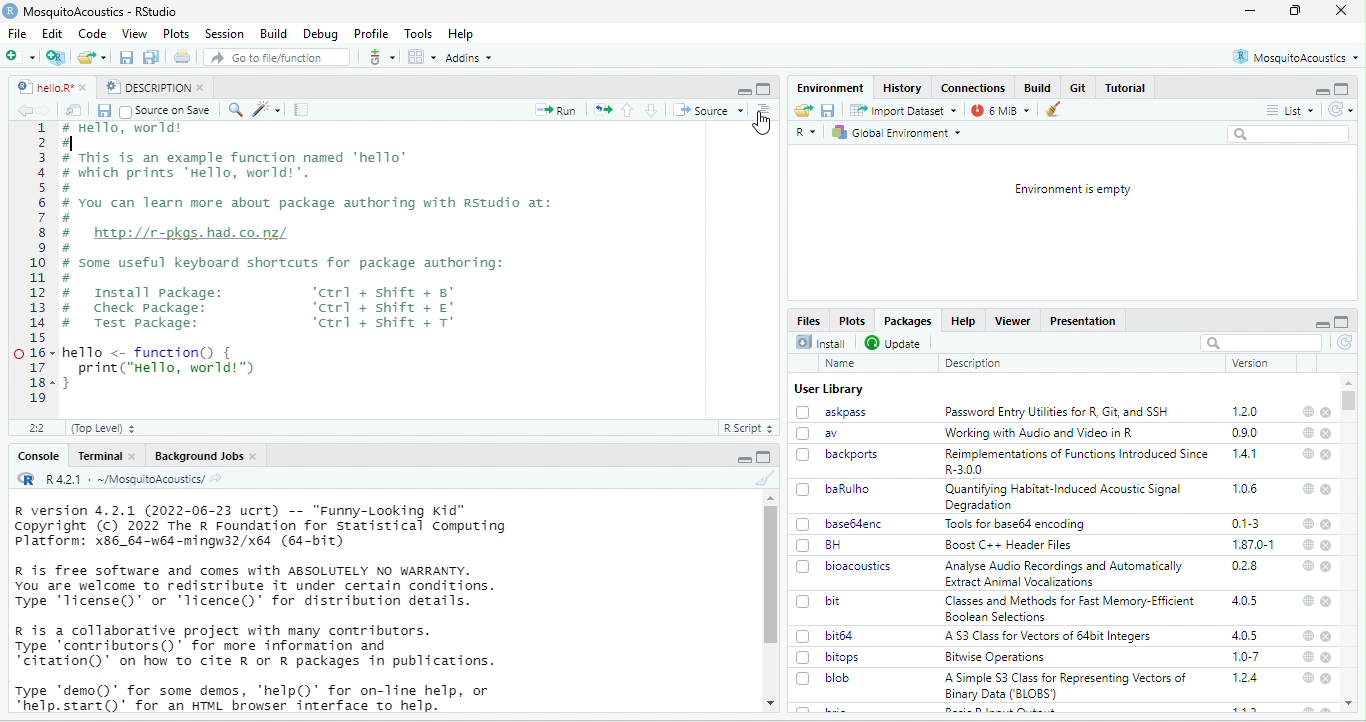 The height and width of the screenshot is (722, 1366). What do you see at coordinates (709, 110) in the screenshot?
I see `Source` at bounding box center [709, 110].